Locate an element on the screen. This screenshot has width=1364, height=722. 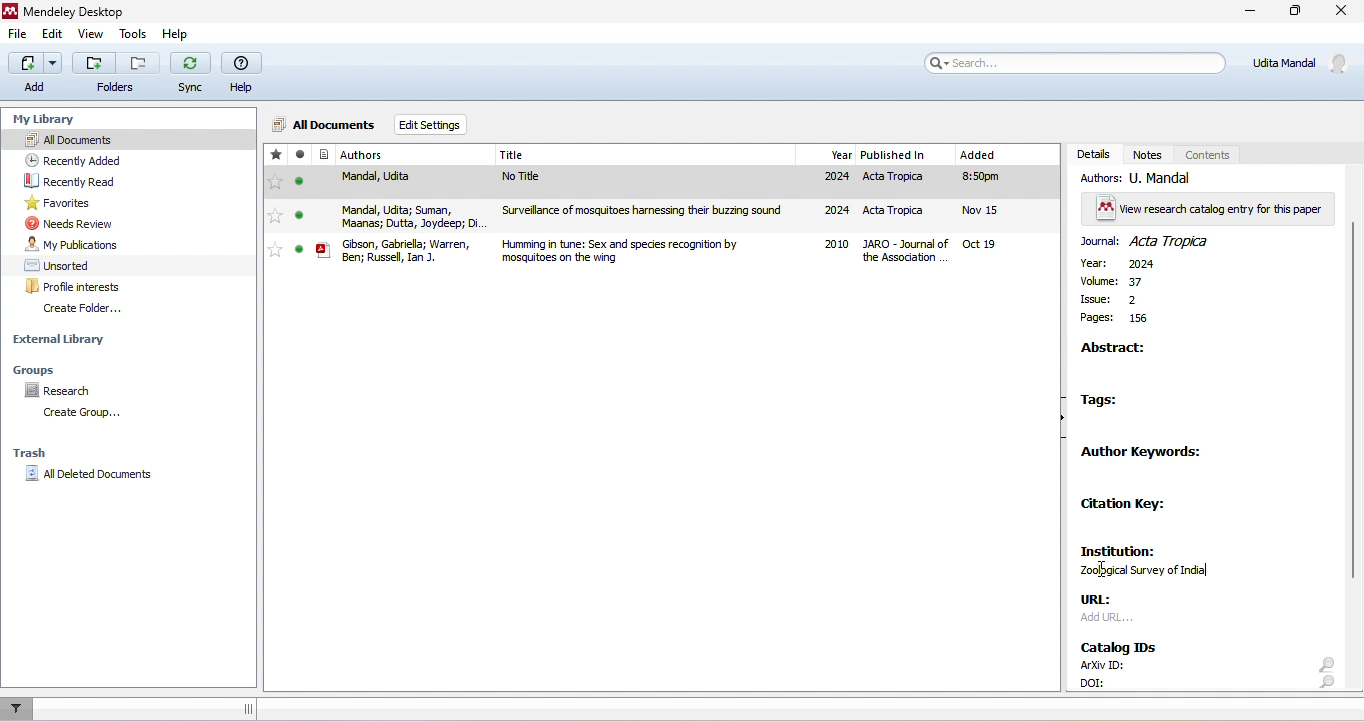
2010 is located at coordinates (836, 246).